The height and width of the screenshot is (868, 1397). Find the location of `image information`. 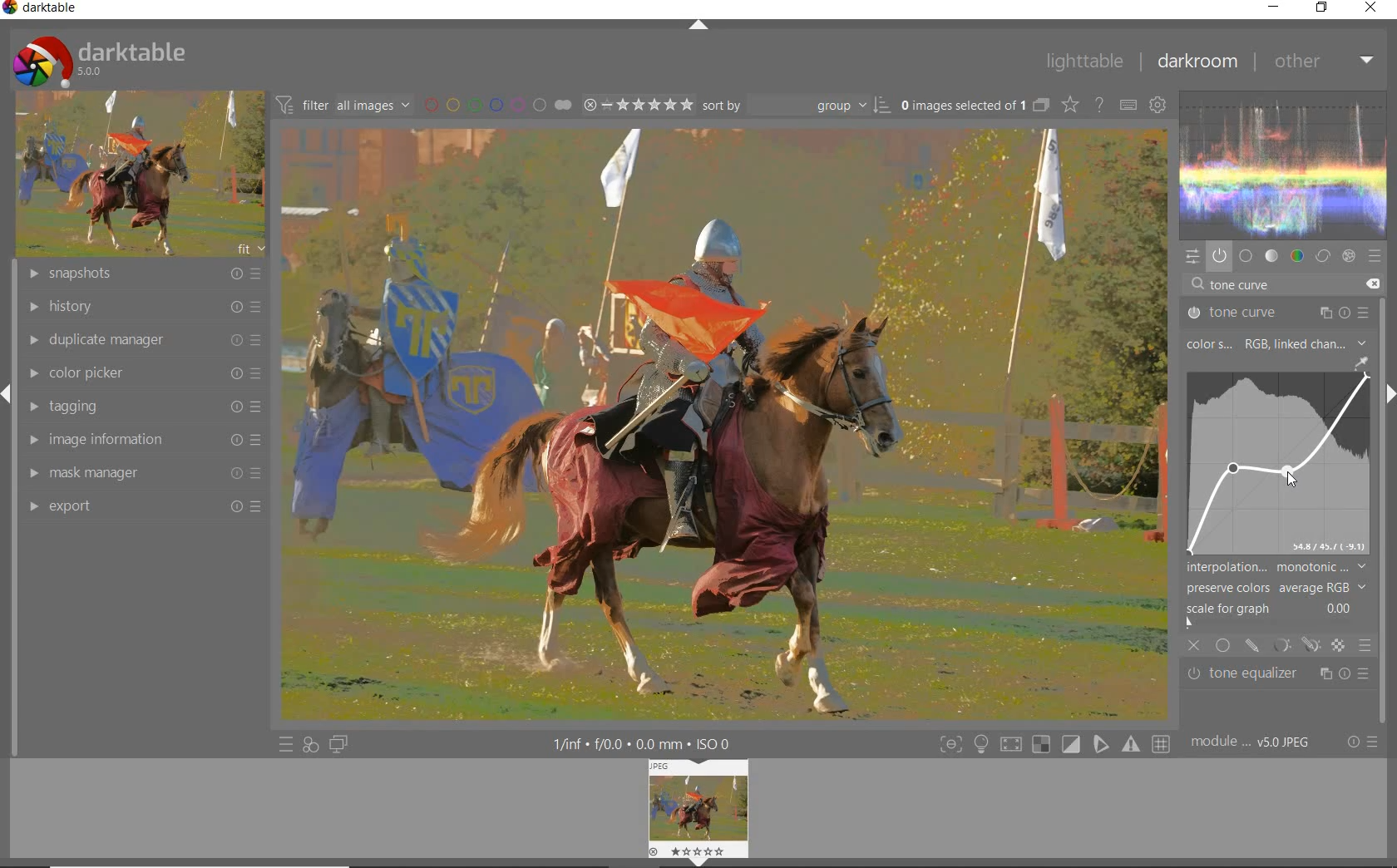

image information is located at coordinates (141, 440).